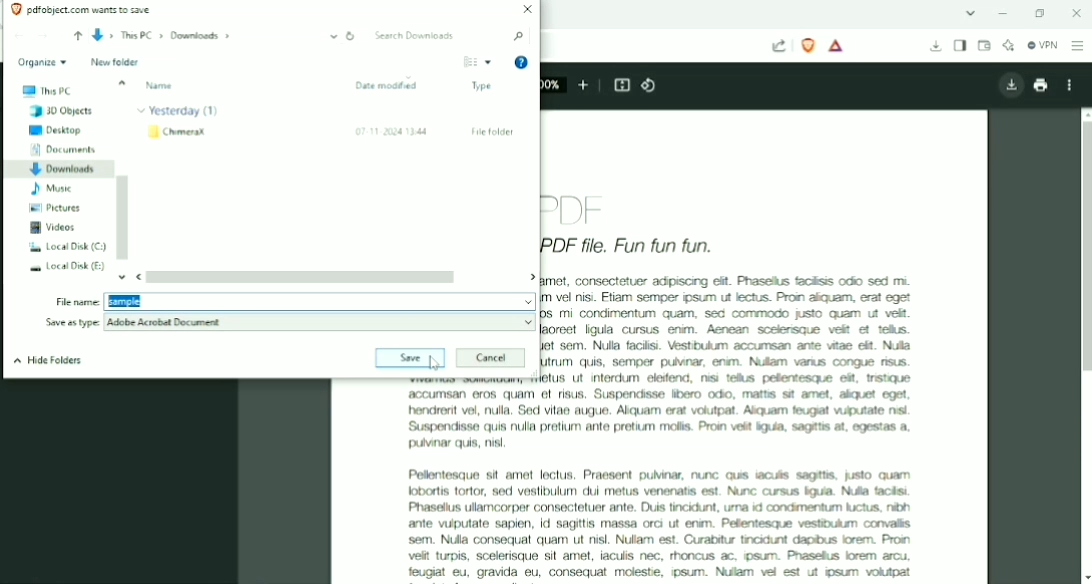  I want to click on Search bar, so click(450, 36).